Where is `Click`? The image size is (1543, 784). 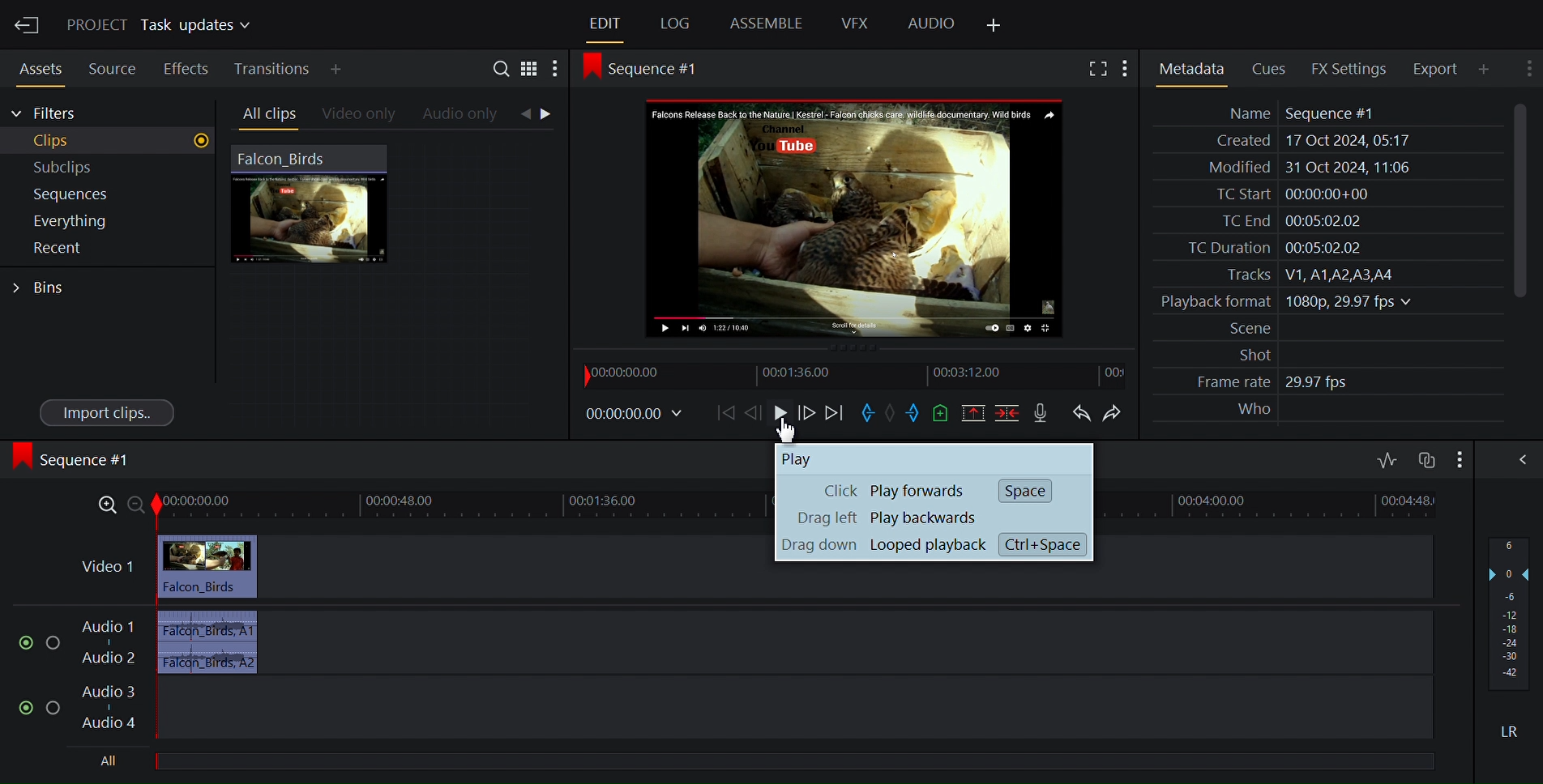
Click is located at coordinates (823, 492).